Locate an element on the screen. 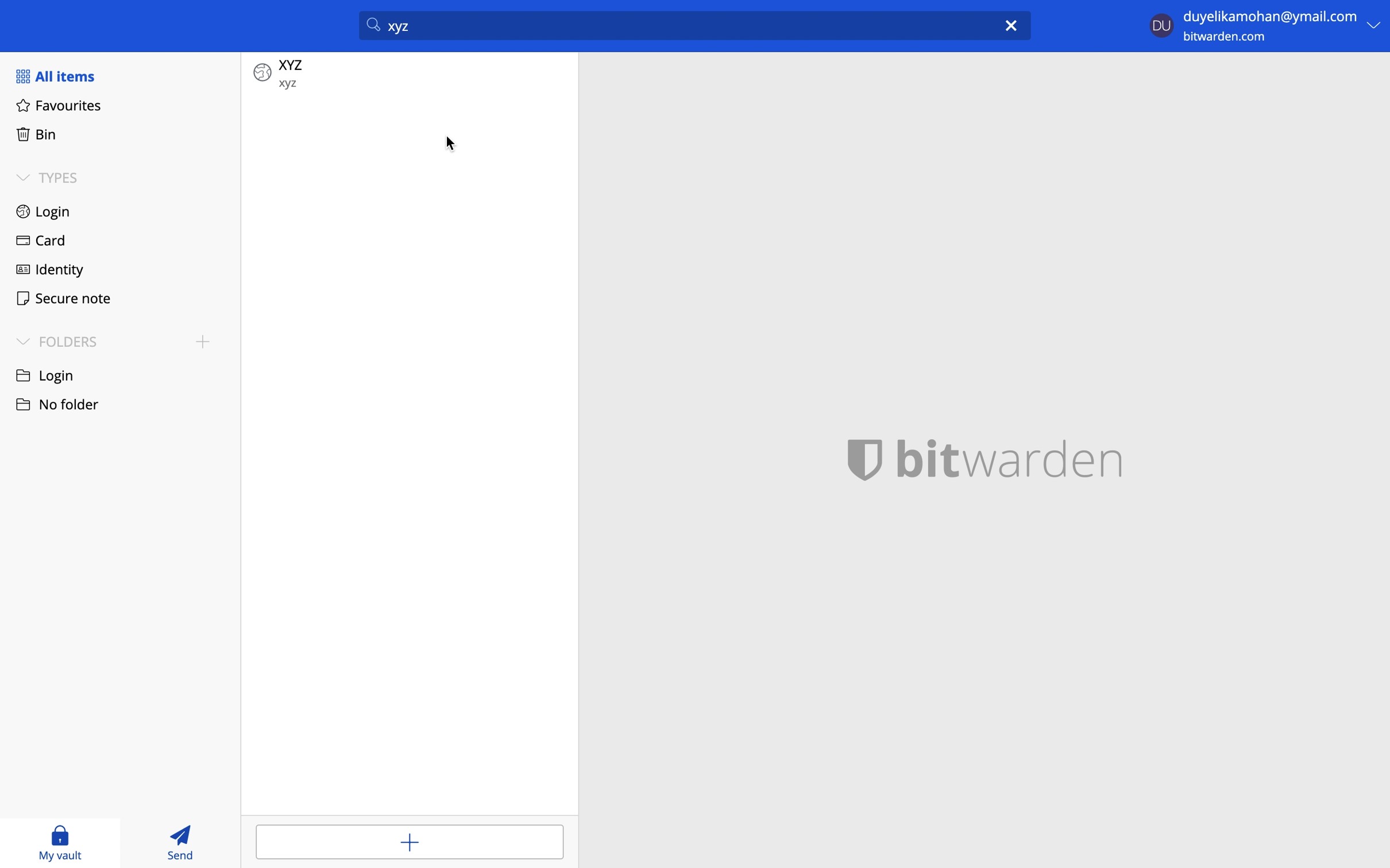  login to search for: xyz is located at coordinates (674, 25).